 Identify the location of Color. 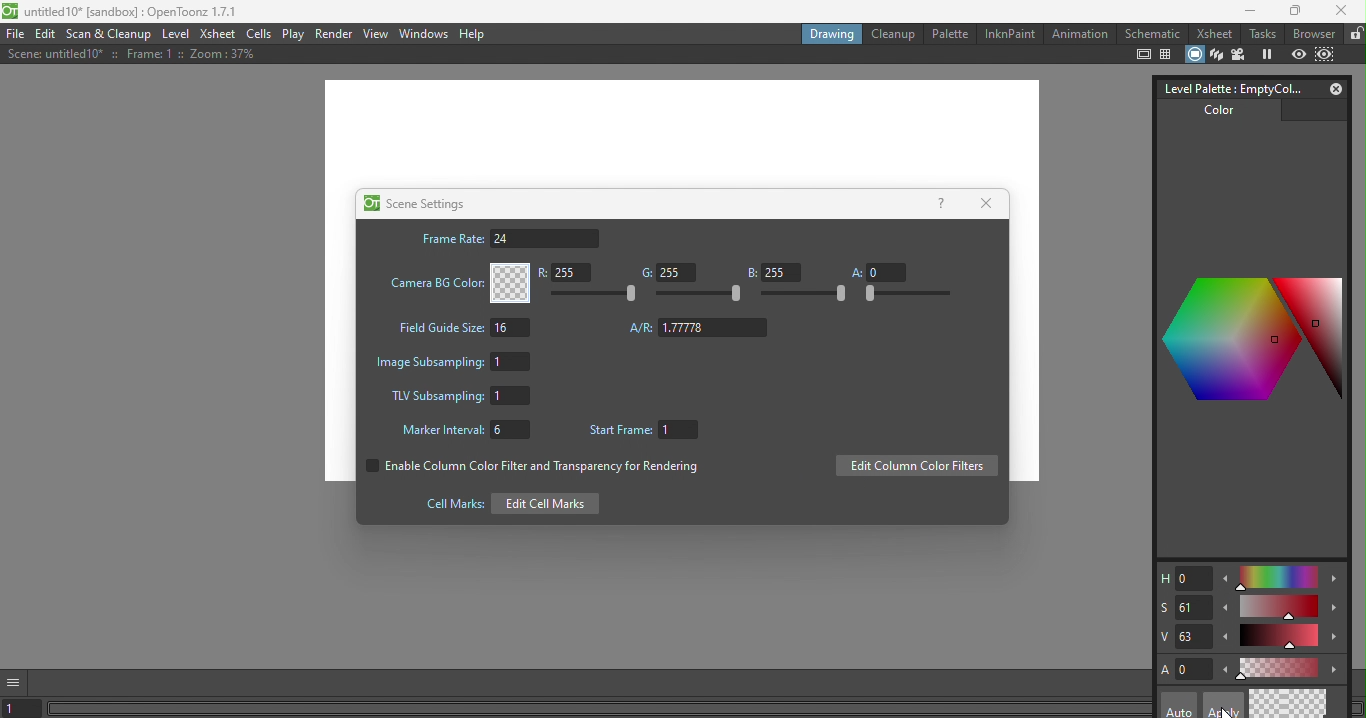
(1213, 115).